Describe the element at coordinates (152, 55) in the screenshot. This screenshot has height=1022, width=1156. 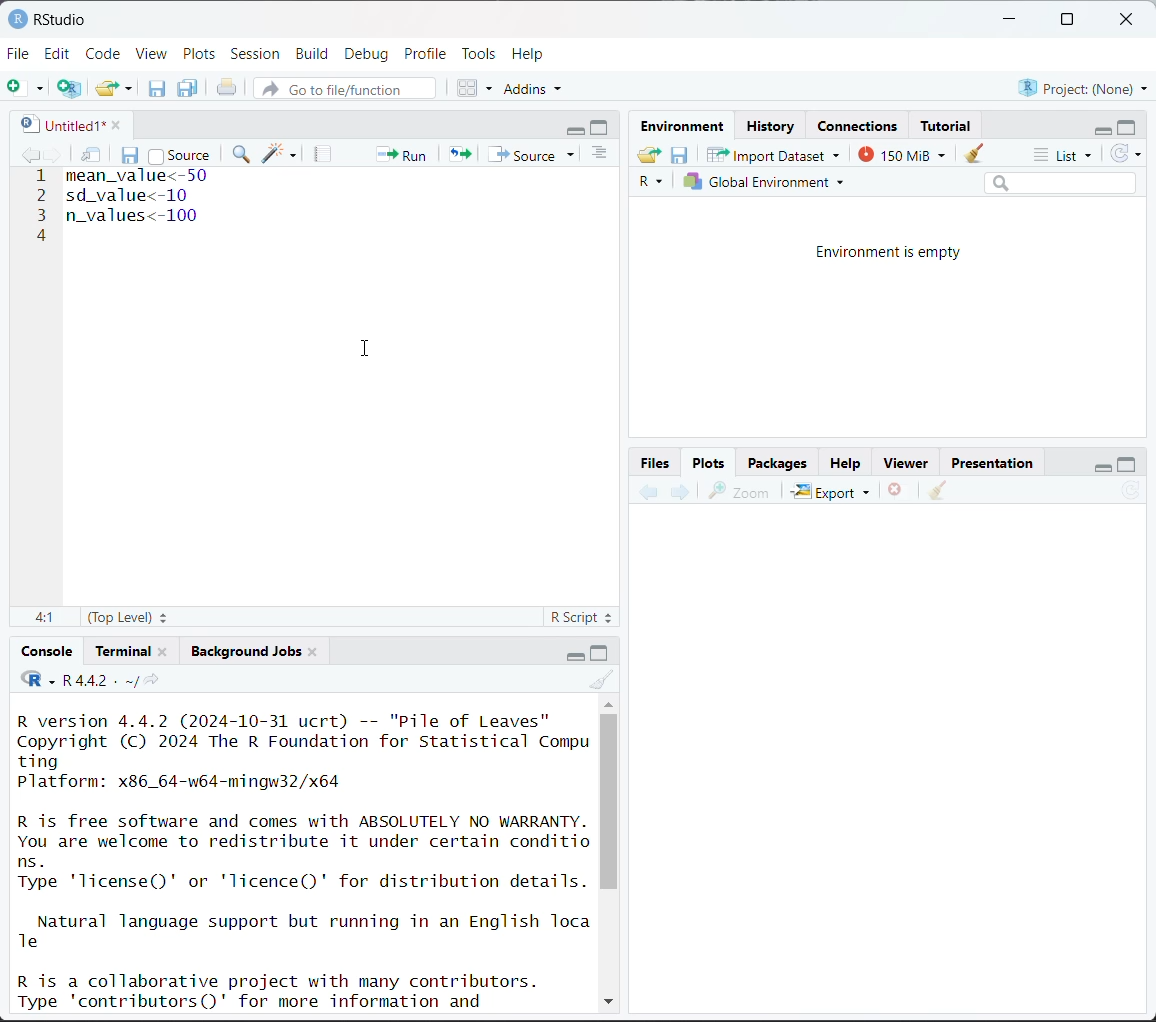
I see `View` at that location.